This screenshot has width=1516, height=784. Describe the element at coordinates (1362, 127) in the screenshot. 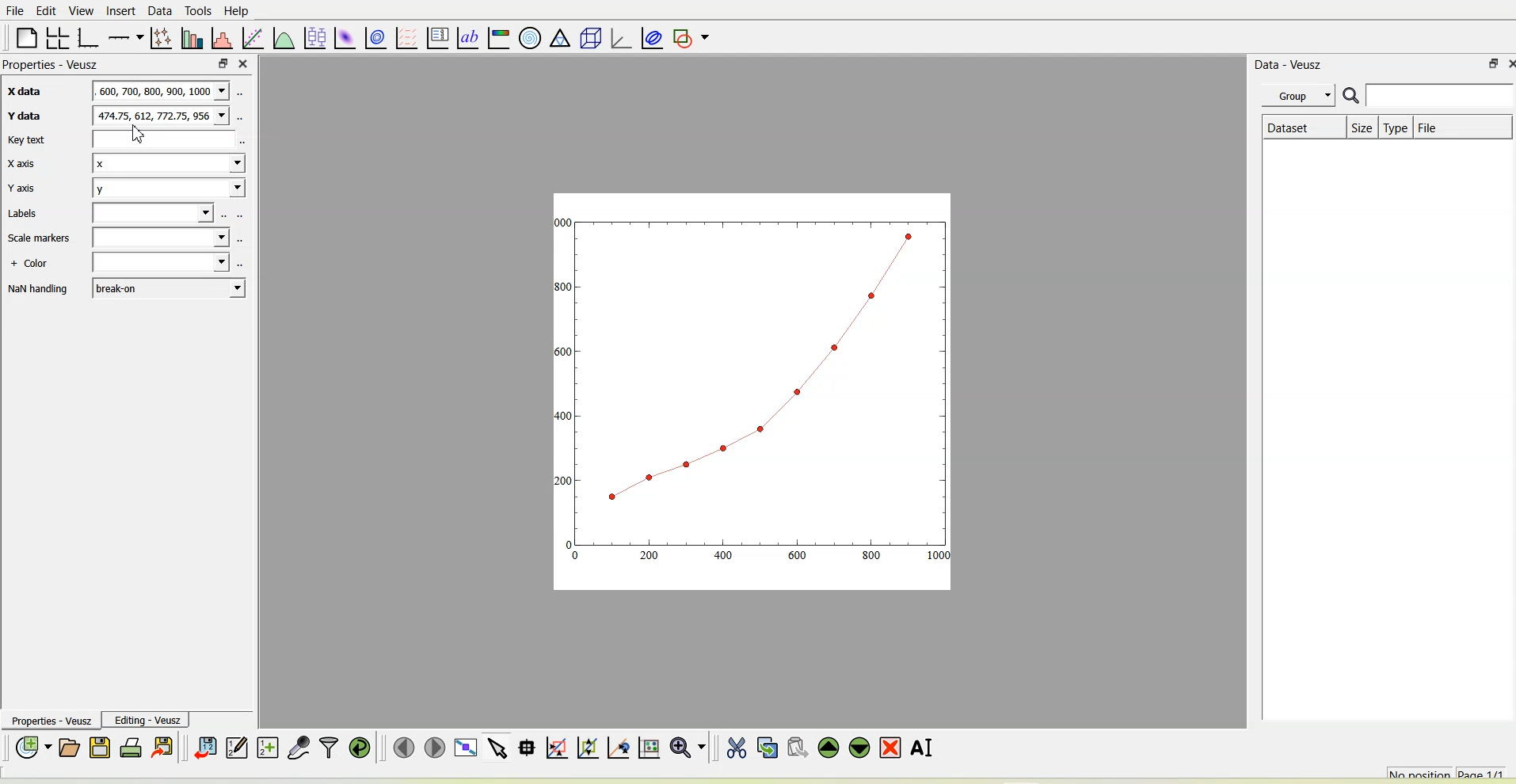

I see `Size` at that location.